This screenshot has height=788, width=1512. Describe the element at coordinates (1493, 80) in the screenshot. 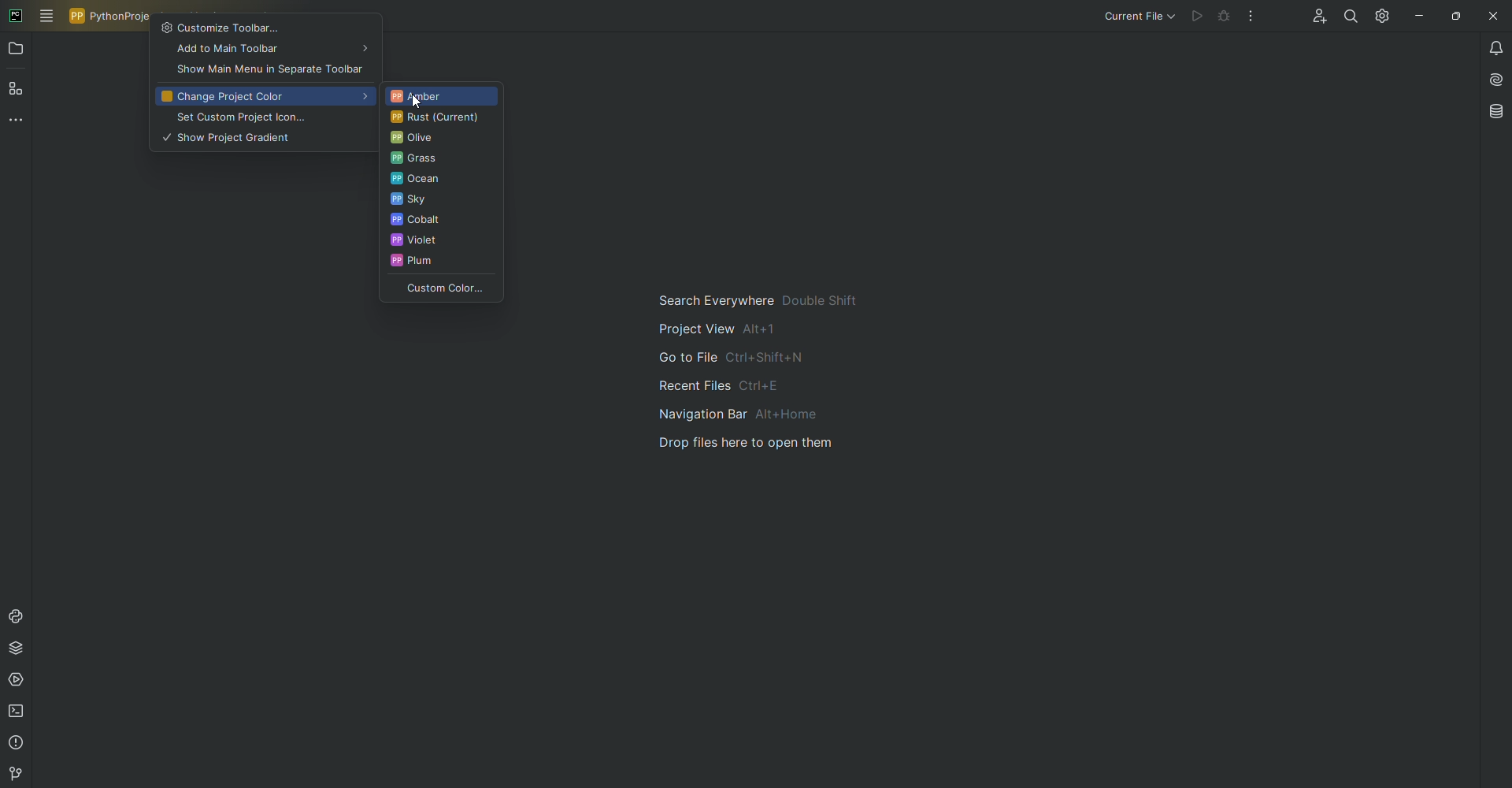

I see `AI` at that location.